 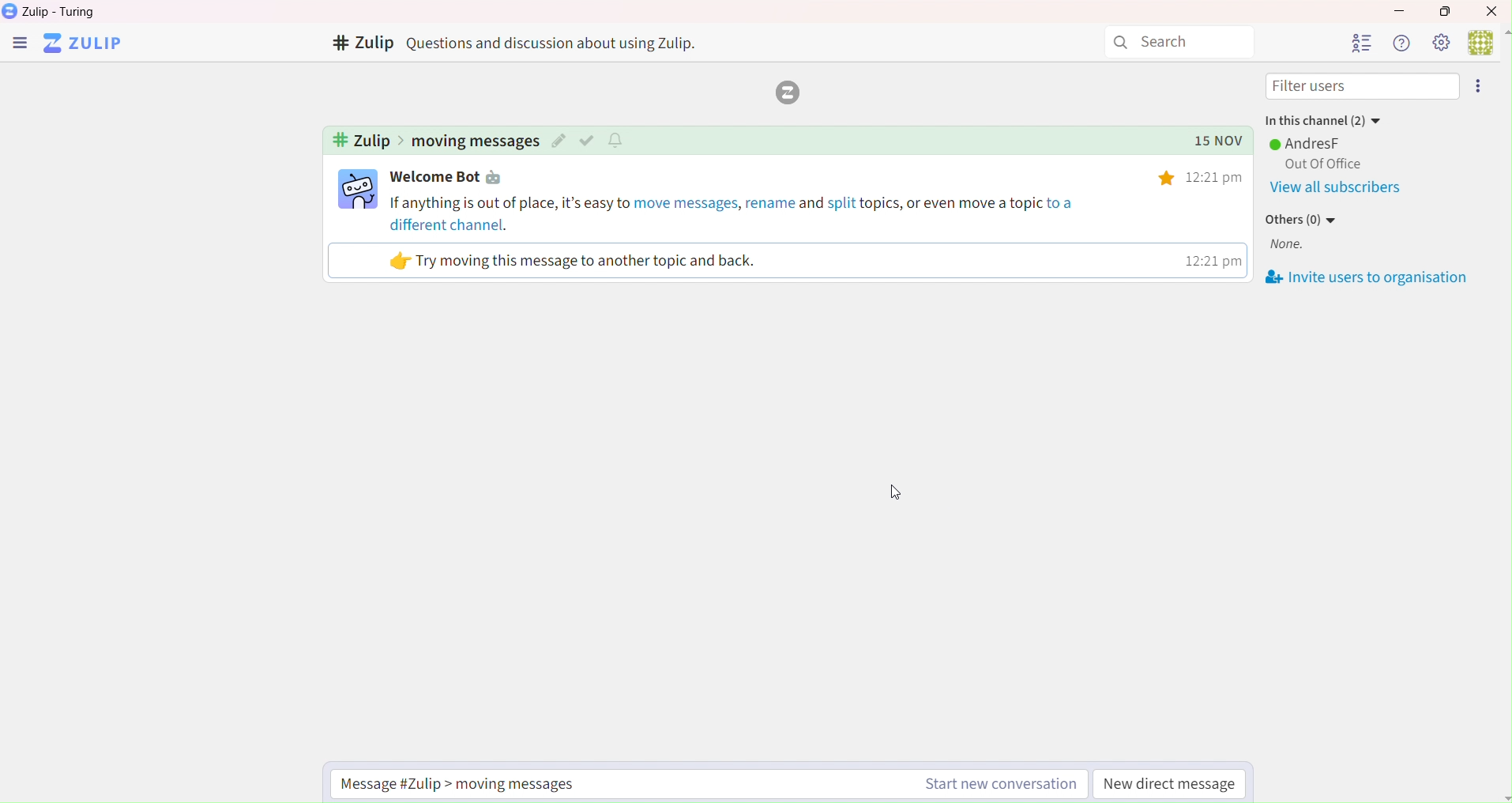 What do you see at coordinates (1319, 164) in the screenshot?
I see `Out Of Office` at bounding box center [1319, 164].